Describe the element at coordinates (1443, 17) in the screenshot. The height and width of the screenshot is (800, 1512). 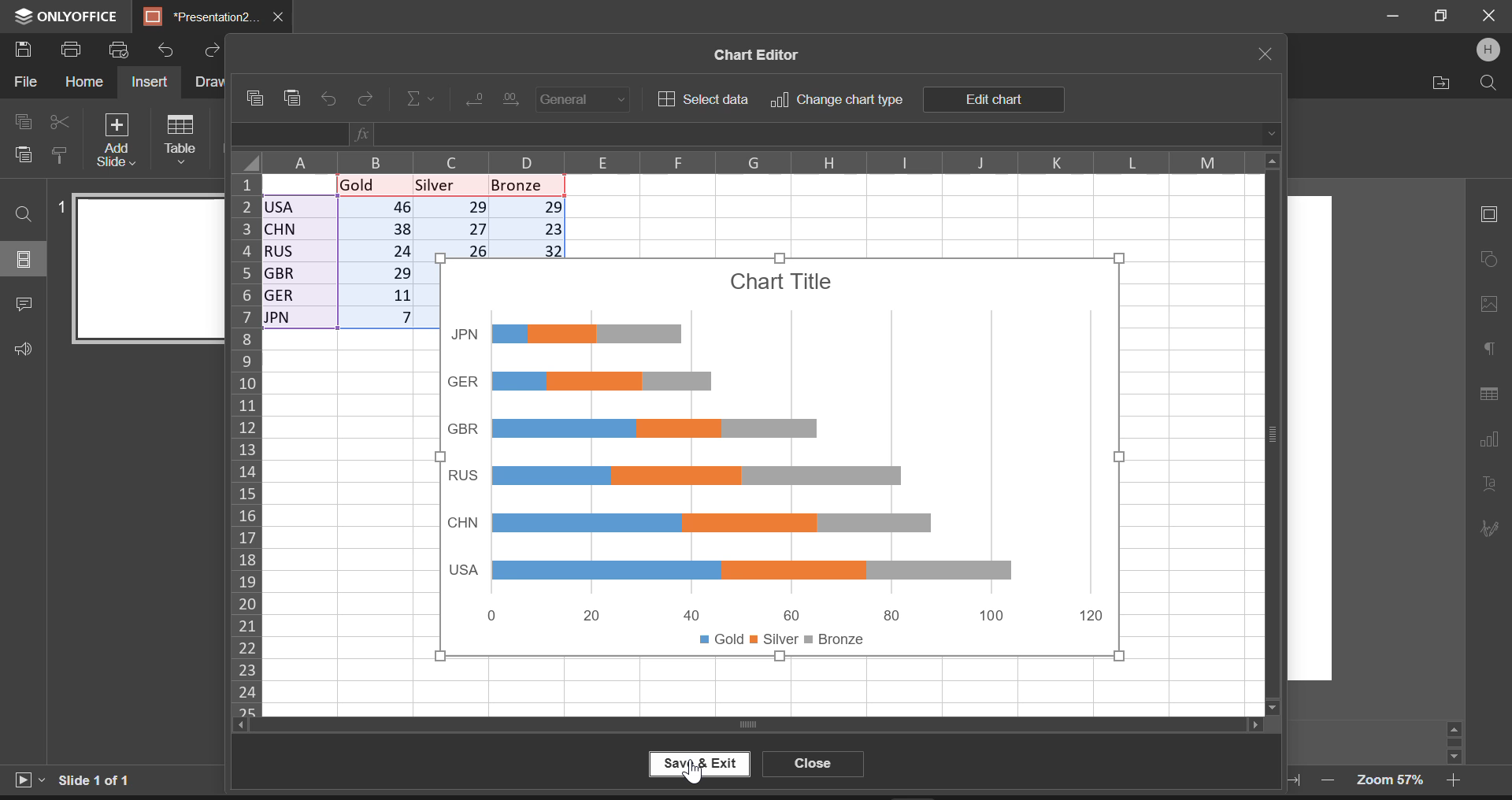
I see `Minimize` at that location.